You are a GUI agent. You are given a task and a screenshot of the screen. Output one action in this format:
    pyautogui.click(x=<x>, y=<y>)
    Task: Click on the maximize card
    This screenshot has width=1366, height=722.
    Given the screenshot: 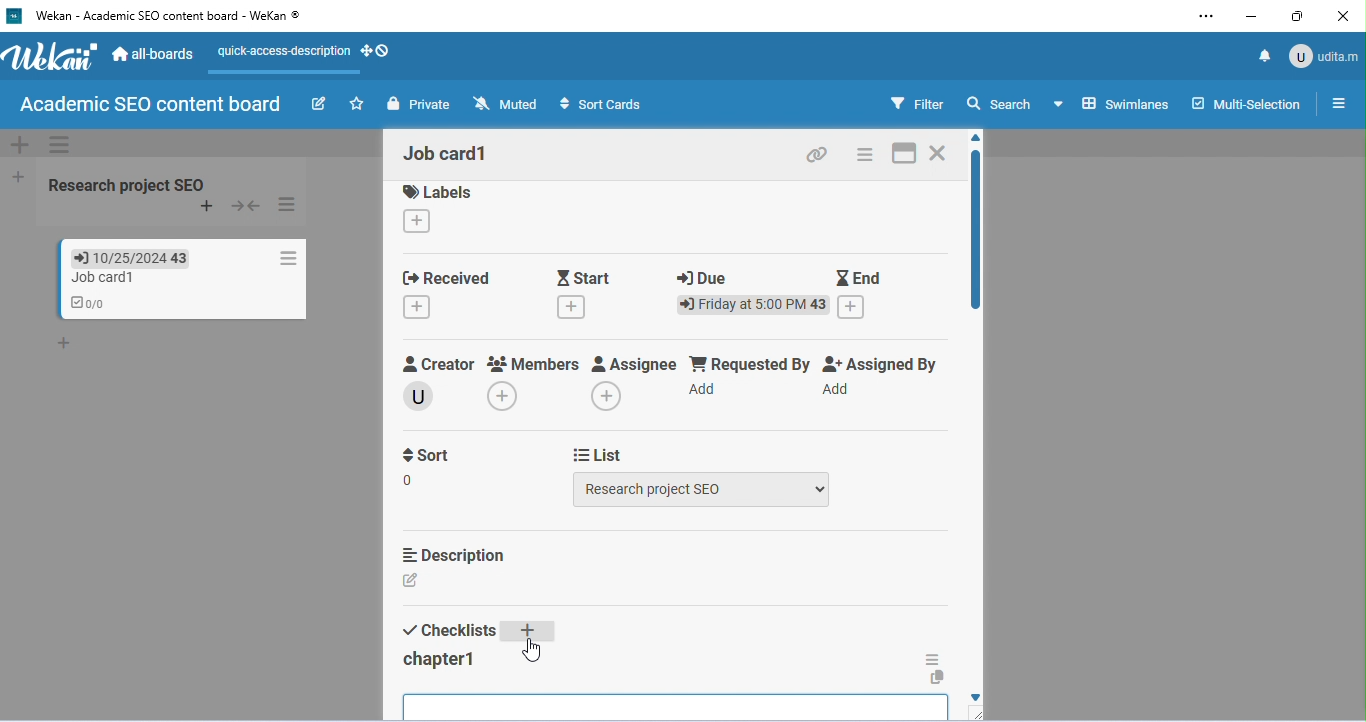 What is the action you would take?
    pyautogui.click(x=904, y=154)
    